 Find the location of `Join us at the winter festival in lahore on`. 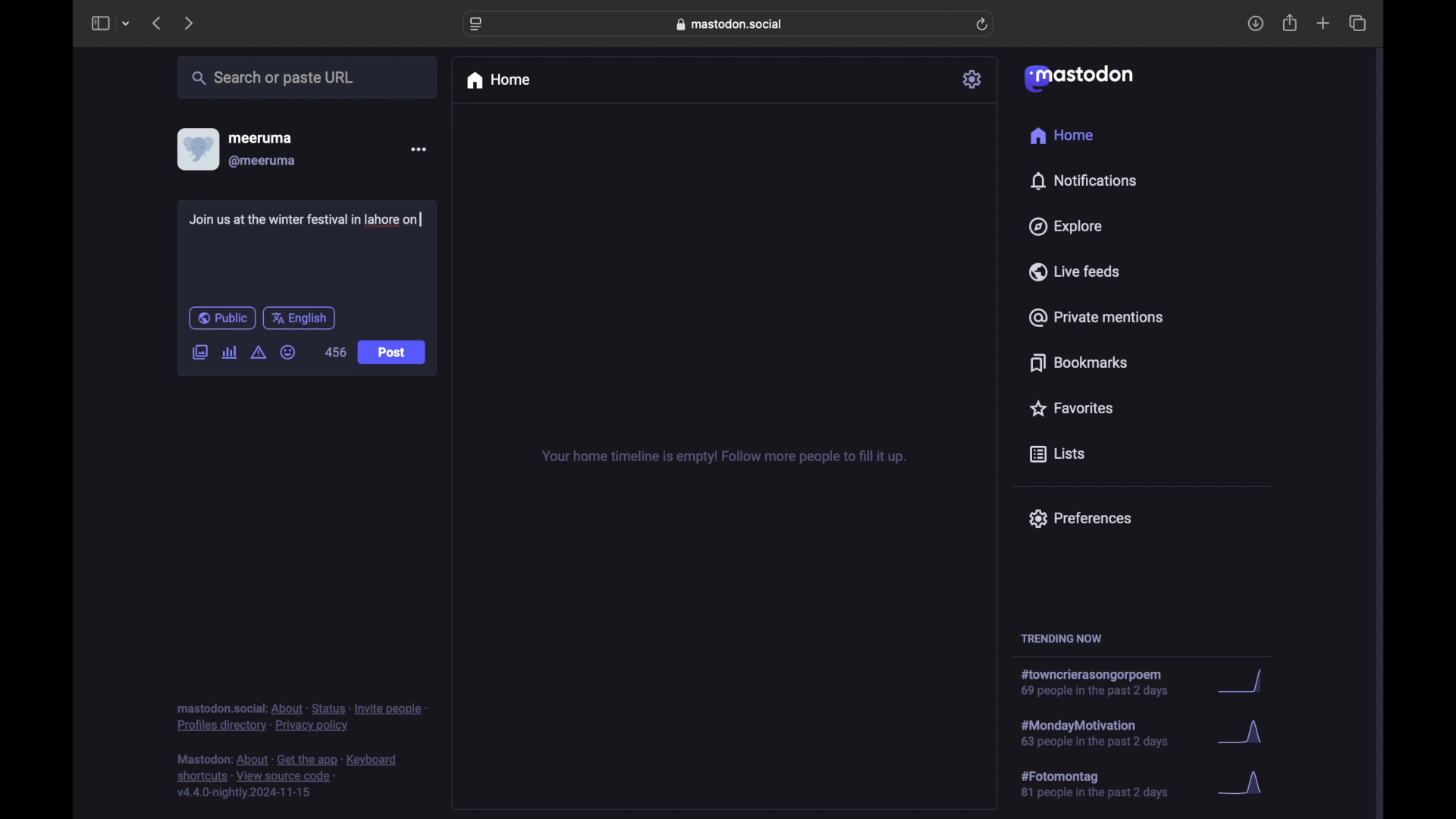

Join us at the winter festival in lahore on is located at coordinates (307, 220).